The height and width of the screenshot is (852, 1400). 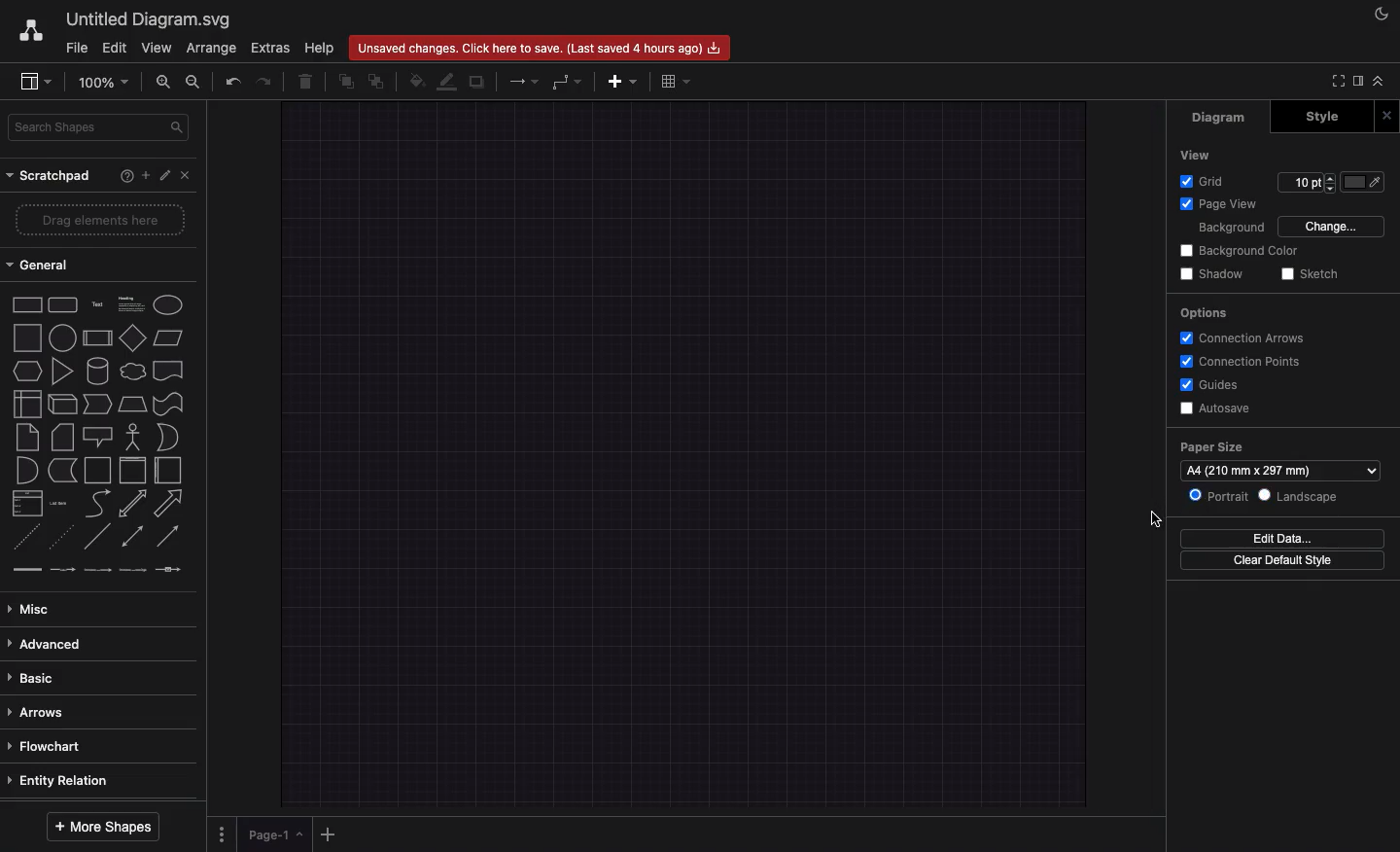 I want to click on Add, so click(x=624, y=81).